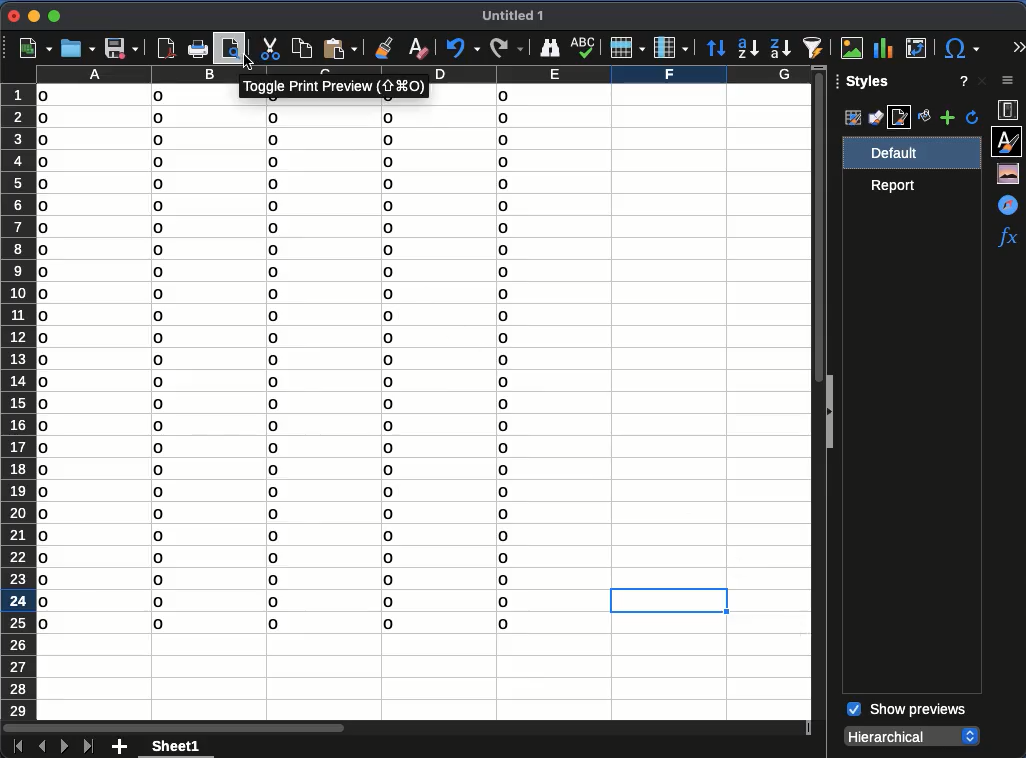 The width and height of the screenshot is (1026, 758). Describe the element at coordinates (905, 710) in the screenshot. I see `show previews` at that location.